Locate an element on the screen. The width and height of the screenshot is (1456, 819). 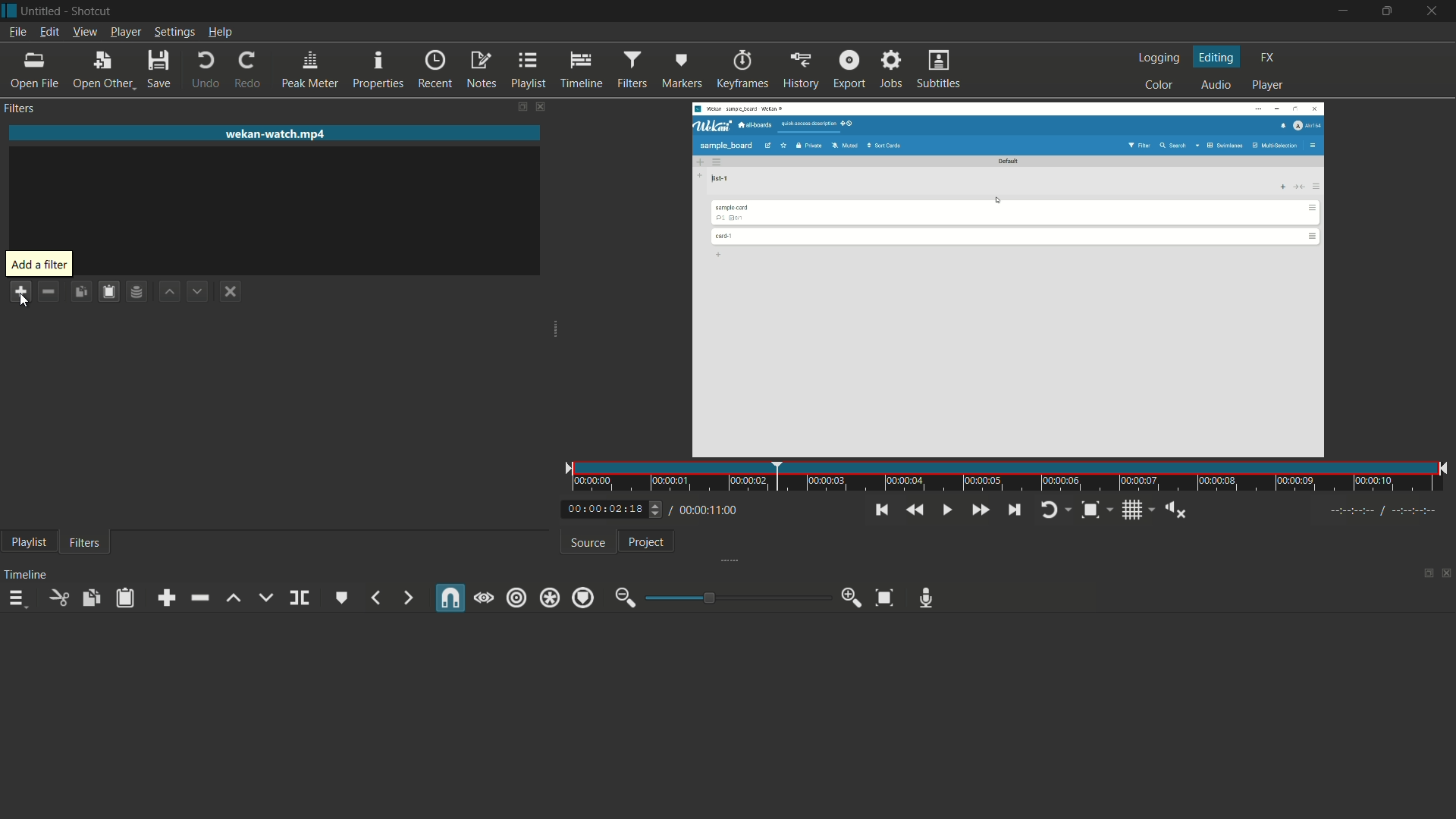
zoom in is located at coordinates (852, 598).